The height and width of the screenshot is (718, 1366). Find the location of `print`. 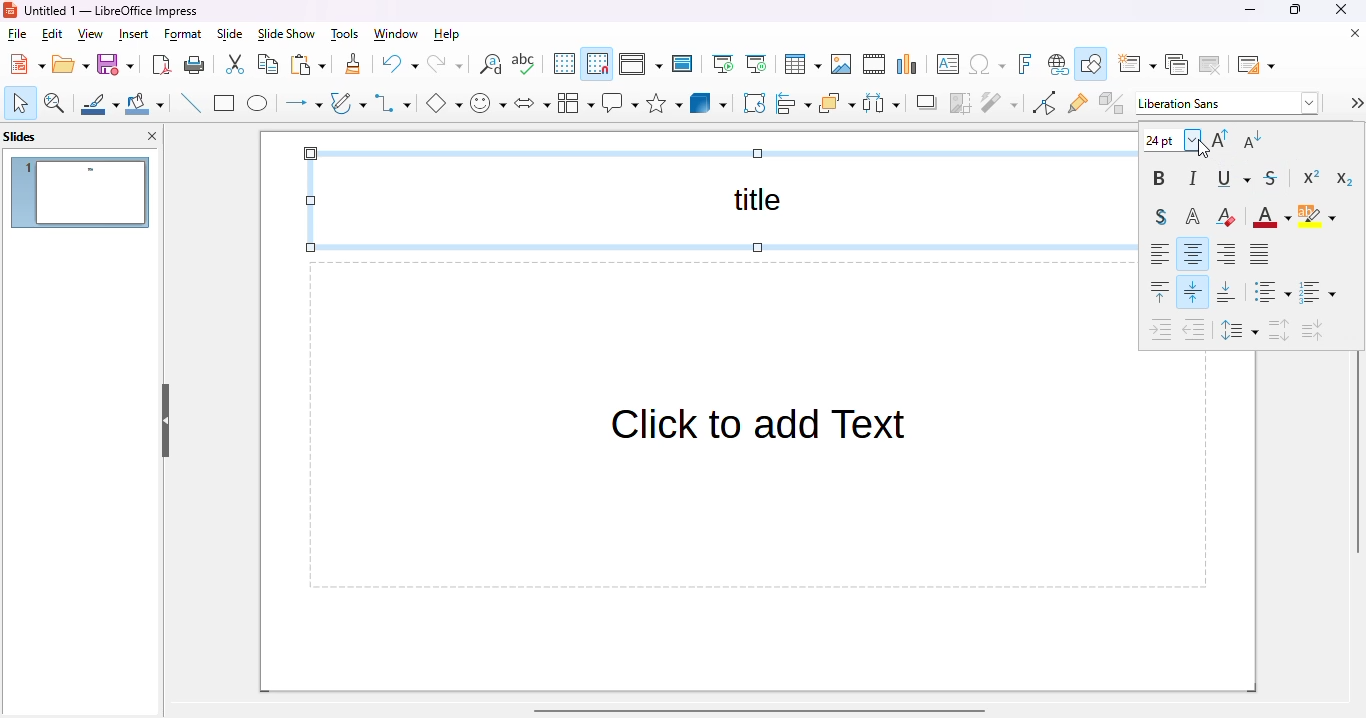

print is located at coordinates (195, 65).